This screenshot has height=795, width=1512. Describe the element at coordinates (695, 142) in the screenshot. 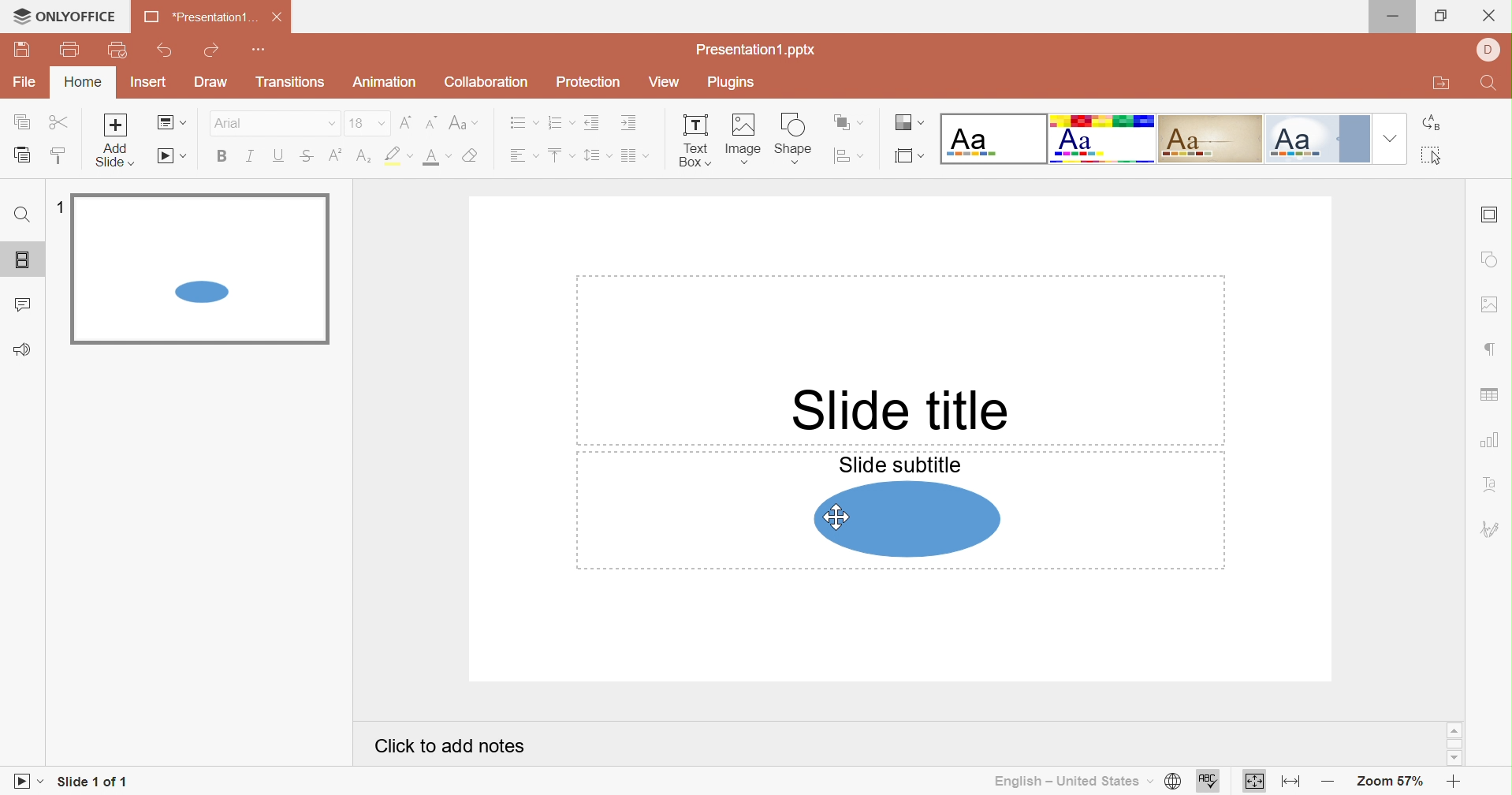

I see `Text Box` at that location.